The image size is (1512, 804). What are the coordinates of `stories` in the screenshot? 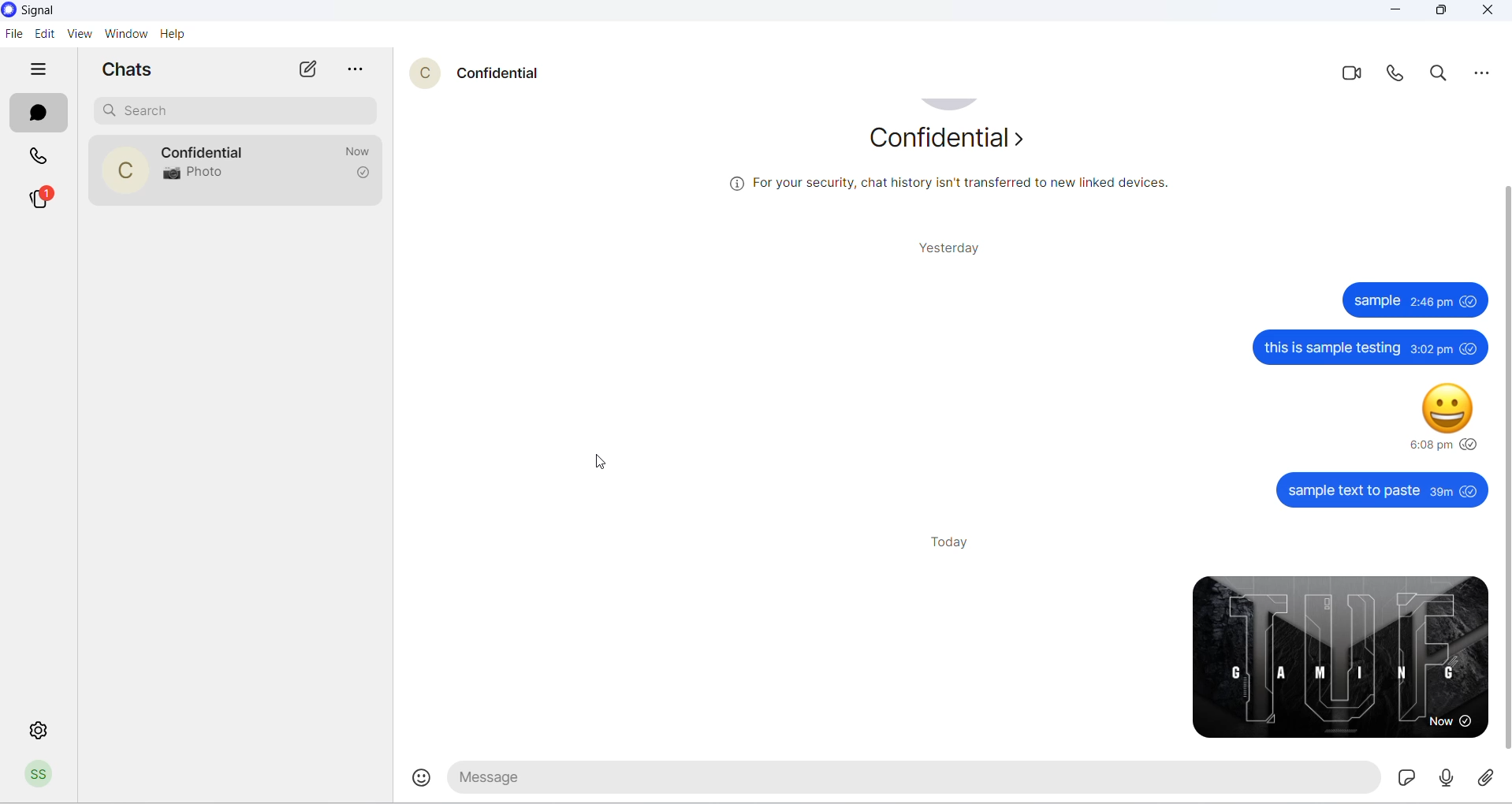 It's located at (42, 198).